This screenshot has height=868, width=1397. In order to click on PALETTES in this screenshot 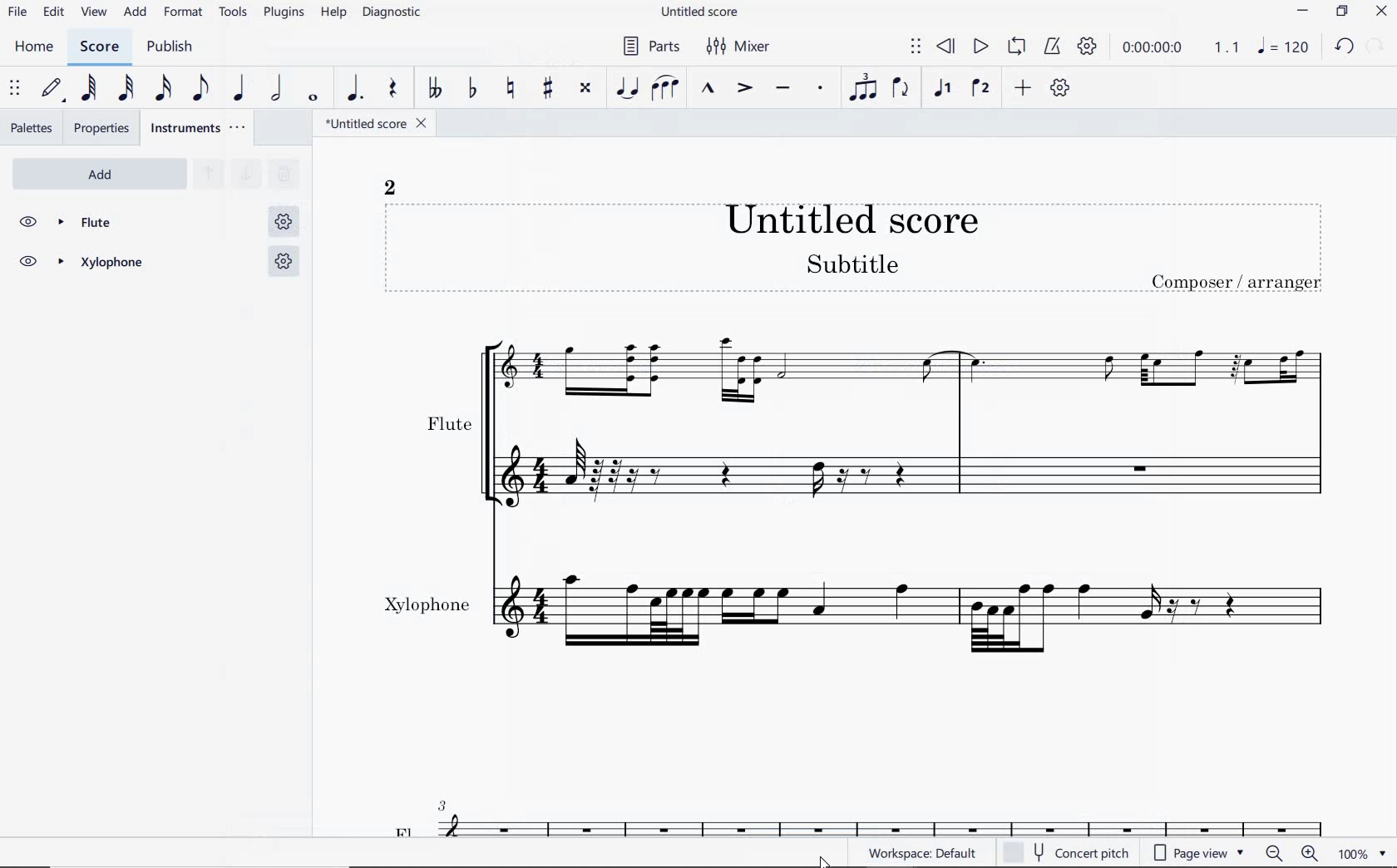, I will do `click(30, 128)`.